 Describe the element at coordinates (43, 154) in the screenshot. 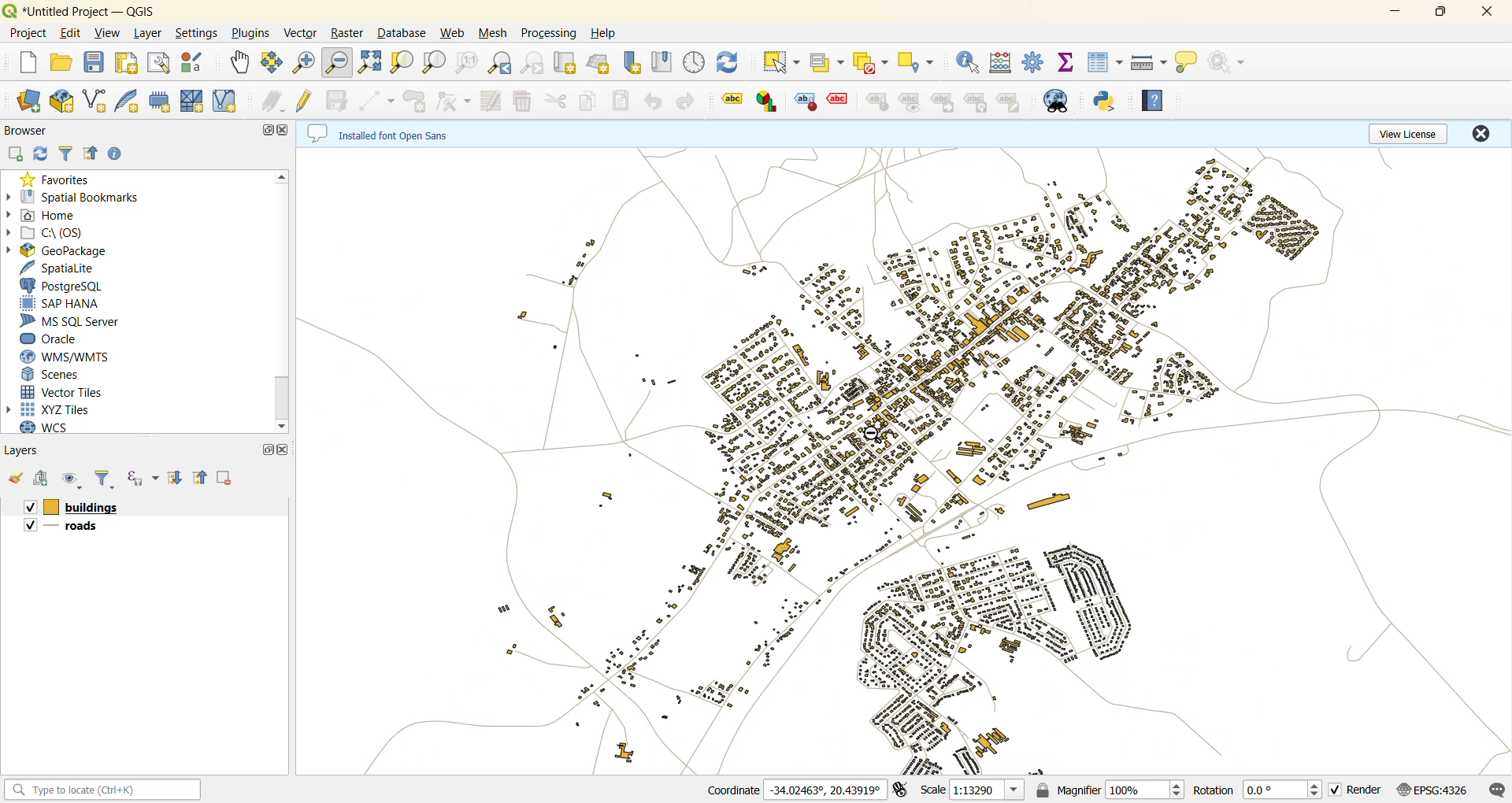

I see `refresh` at that location.